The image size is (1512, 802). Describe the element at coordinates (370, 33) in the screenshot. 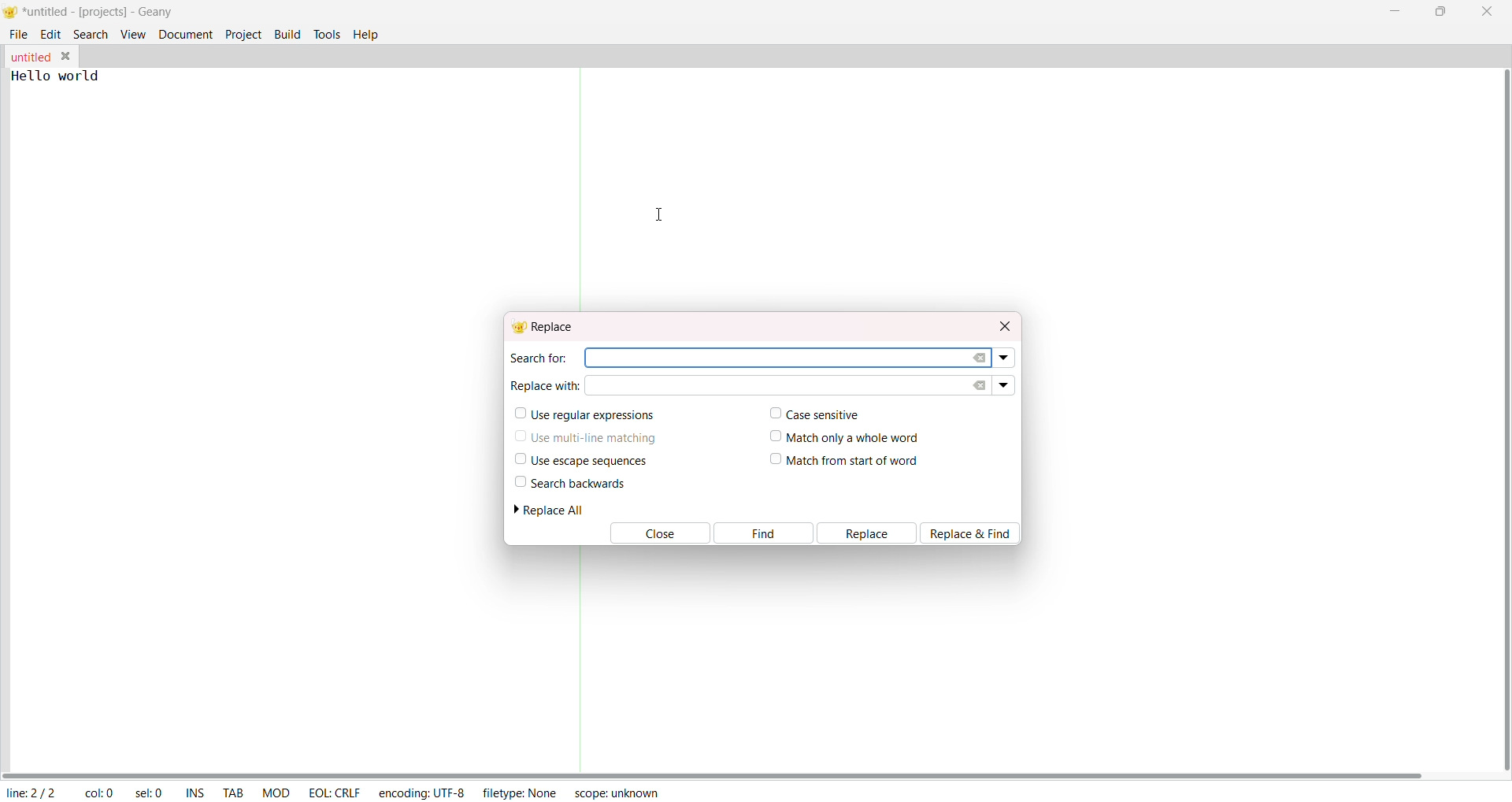

I see `help` at that location.